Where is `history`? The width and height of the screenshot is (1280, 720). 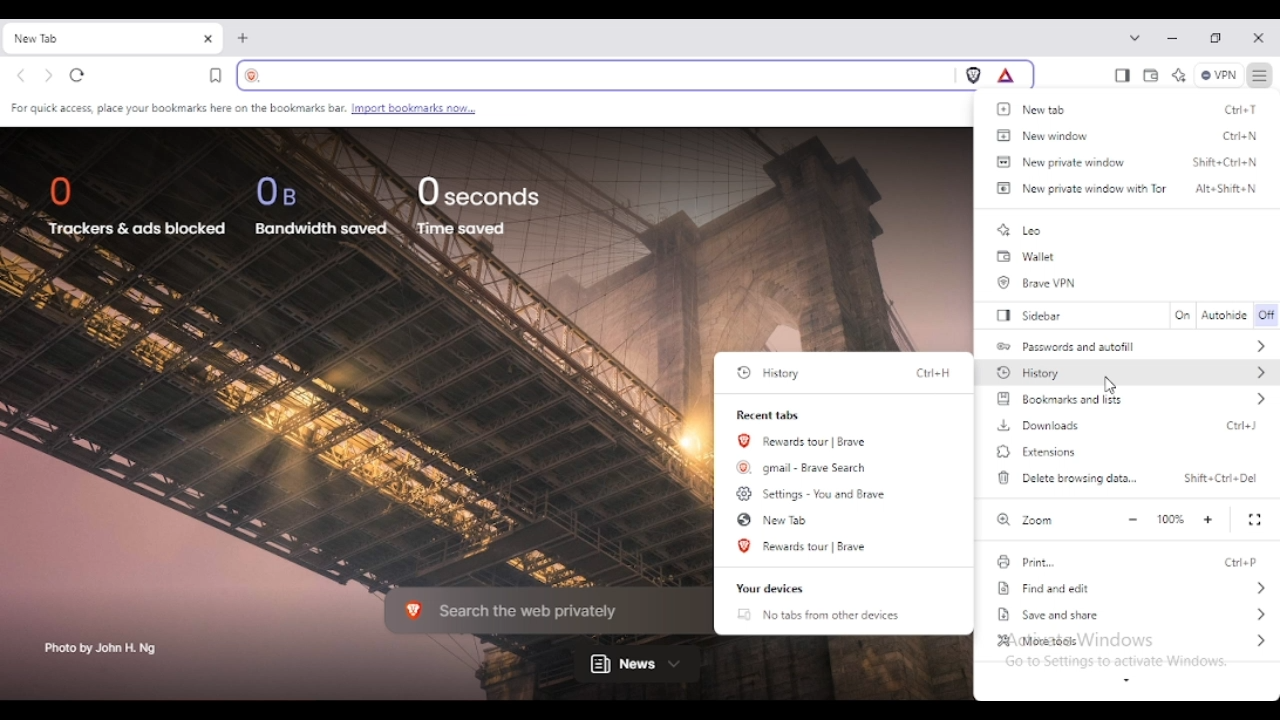
history is located at coordinates (1131, 371).